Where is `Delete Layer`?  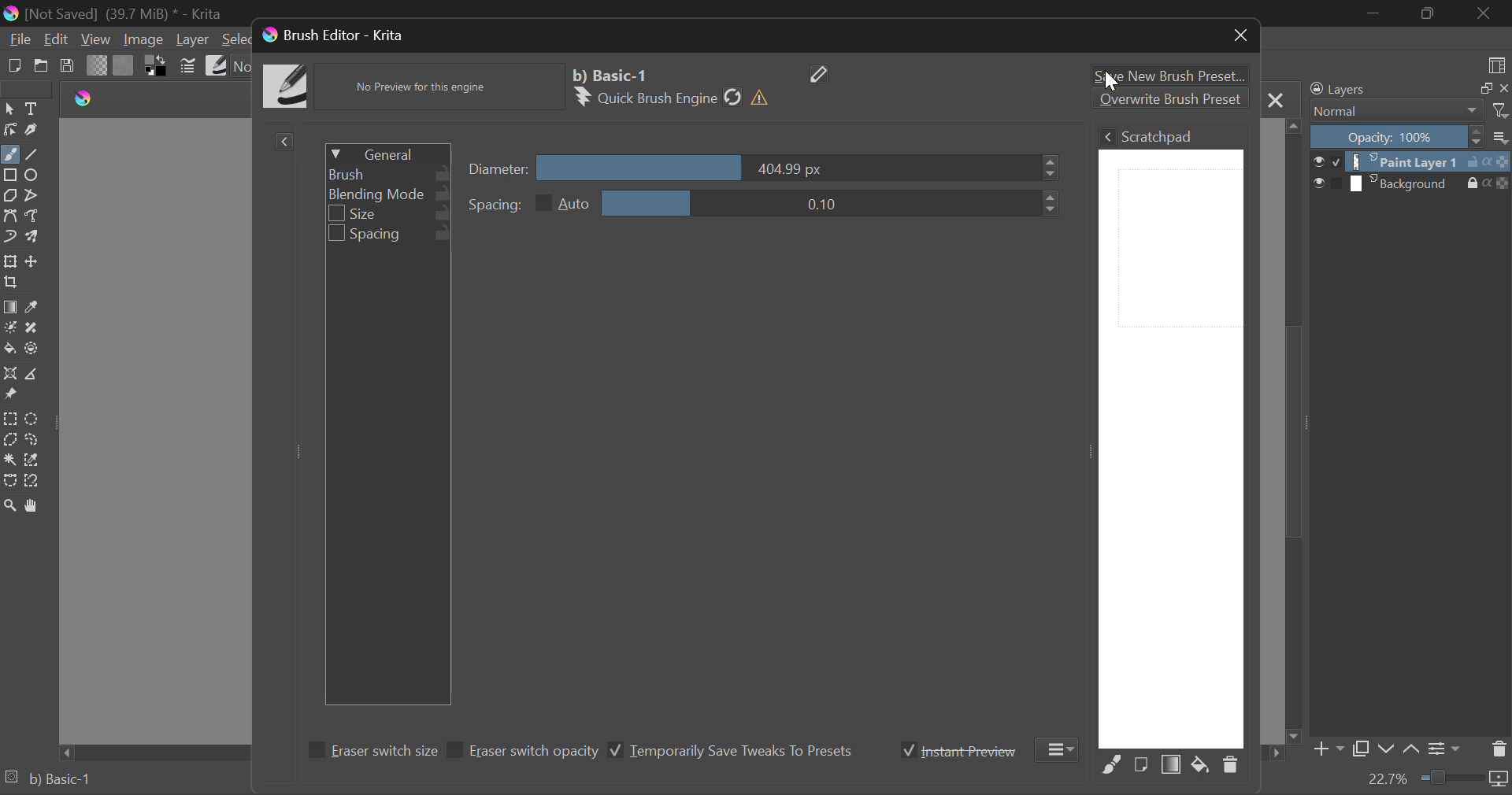
Delete Layer is located at coordinates (1499, 748).